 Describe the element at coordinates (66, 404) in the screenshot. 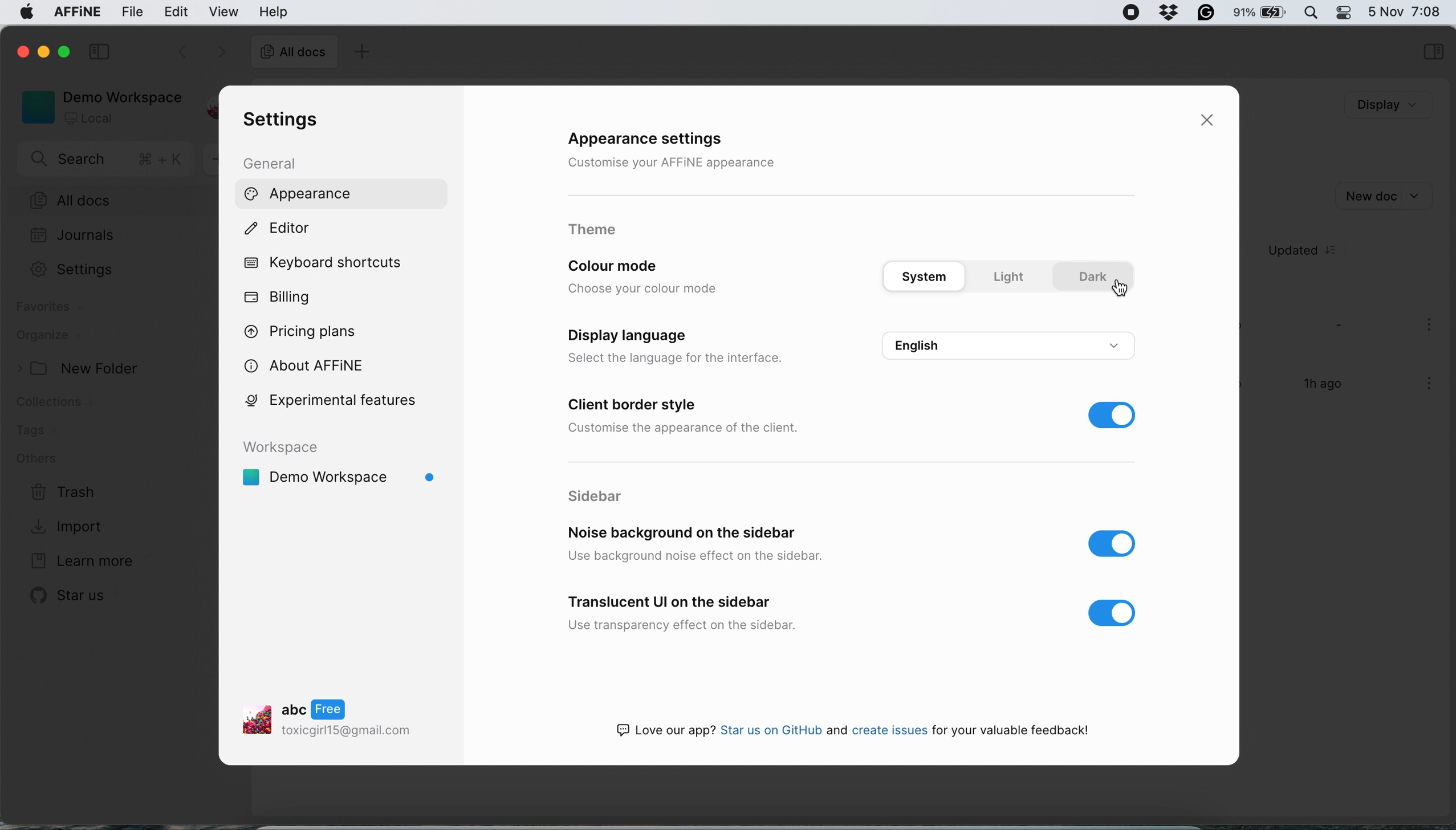

I see `collections` at that location.